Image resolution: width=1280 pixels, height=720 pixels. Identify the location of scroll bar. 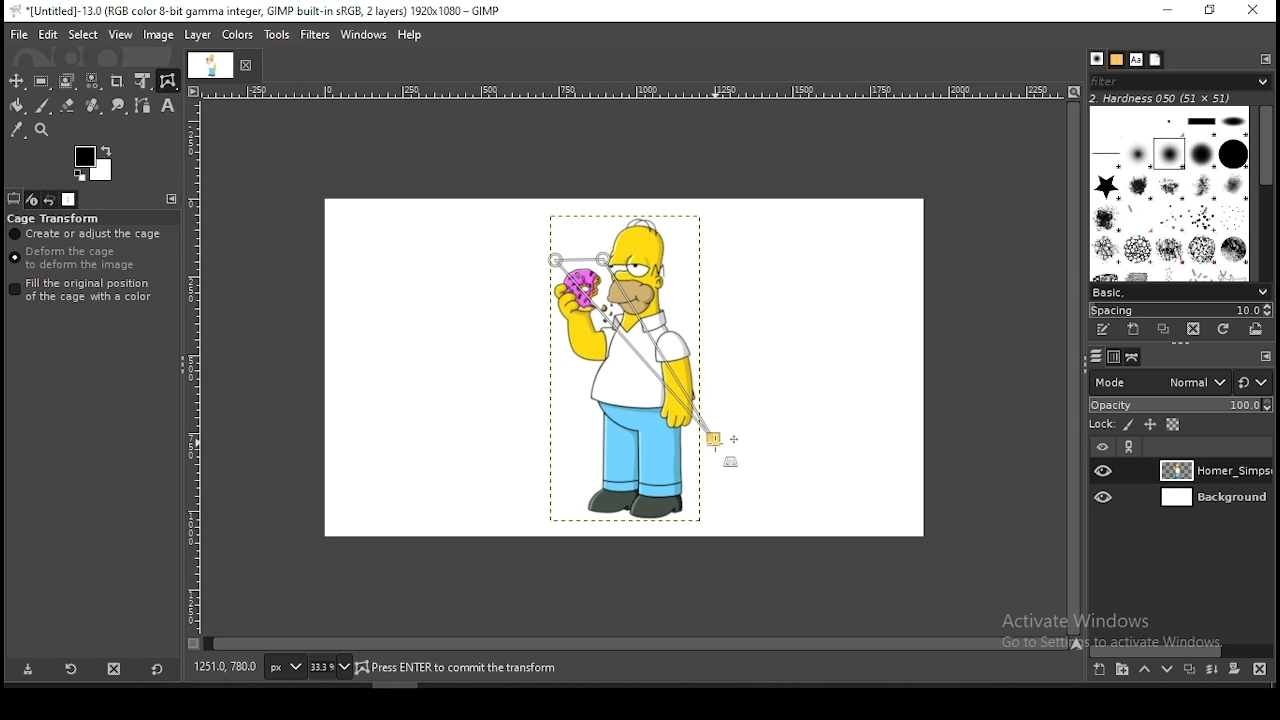
(636, 642).